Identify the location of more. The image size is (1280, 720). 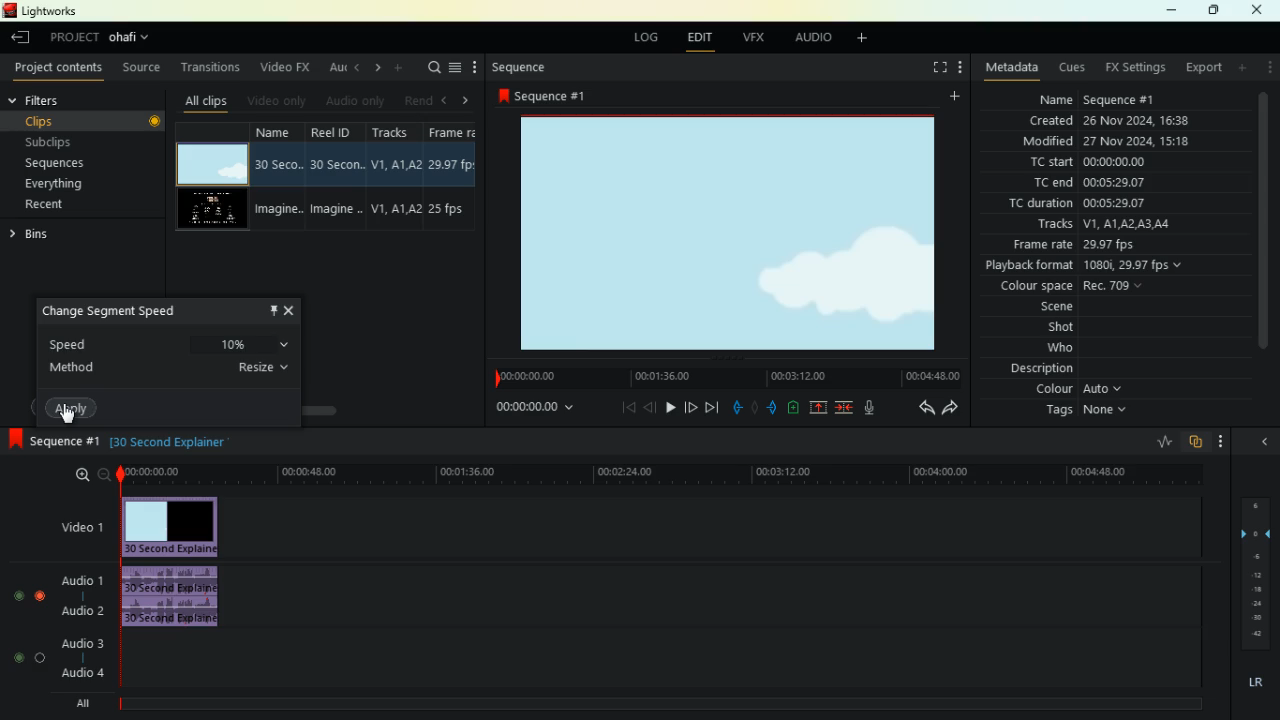
(958, 69).